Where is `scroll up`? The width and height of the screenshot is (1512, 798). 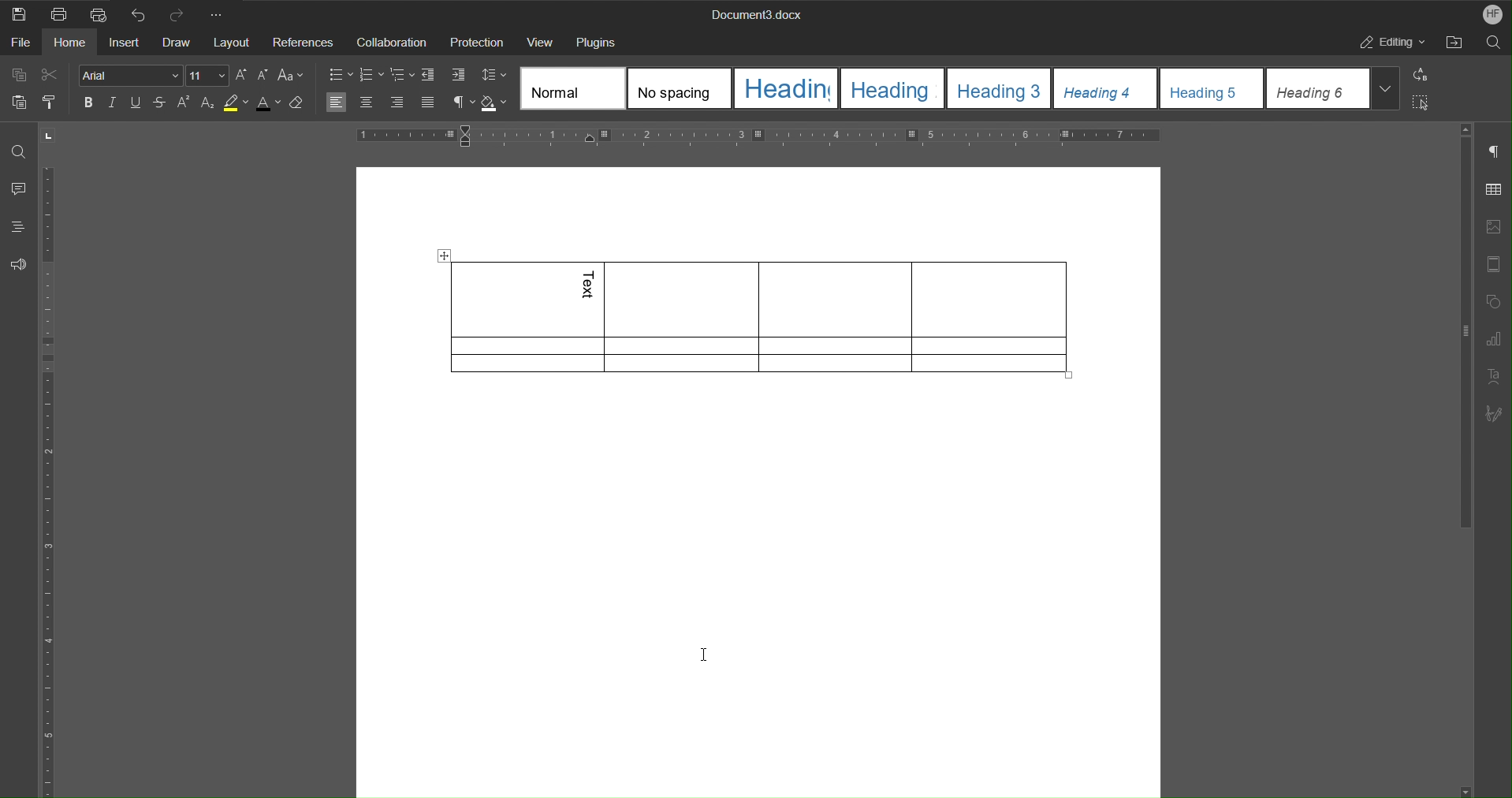 scroll up is located at coordinates (1465, 129).